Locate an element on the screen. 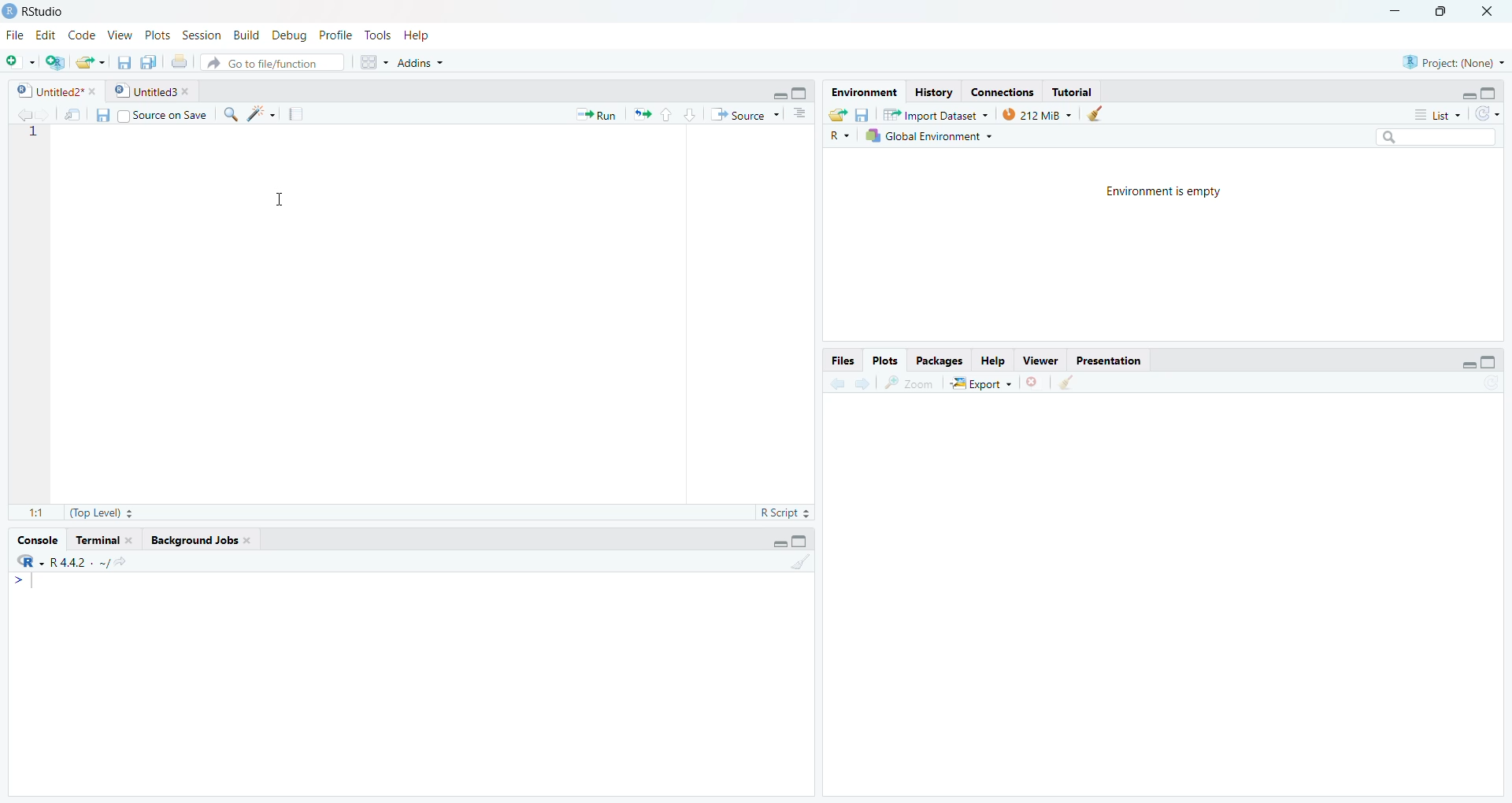  source on save is located at coordinates (164, 115).